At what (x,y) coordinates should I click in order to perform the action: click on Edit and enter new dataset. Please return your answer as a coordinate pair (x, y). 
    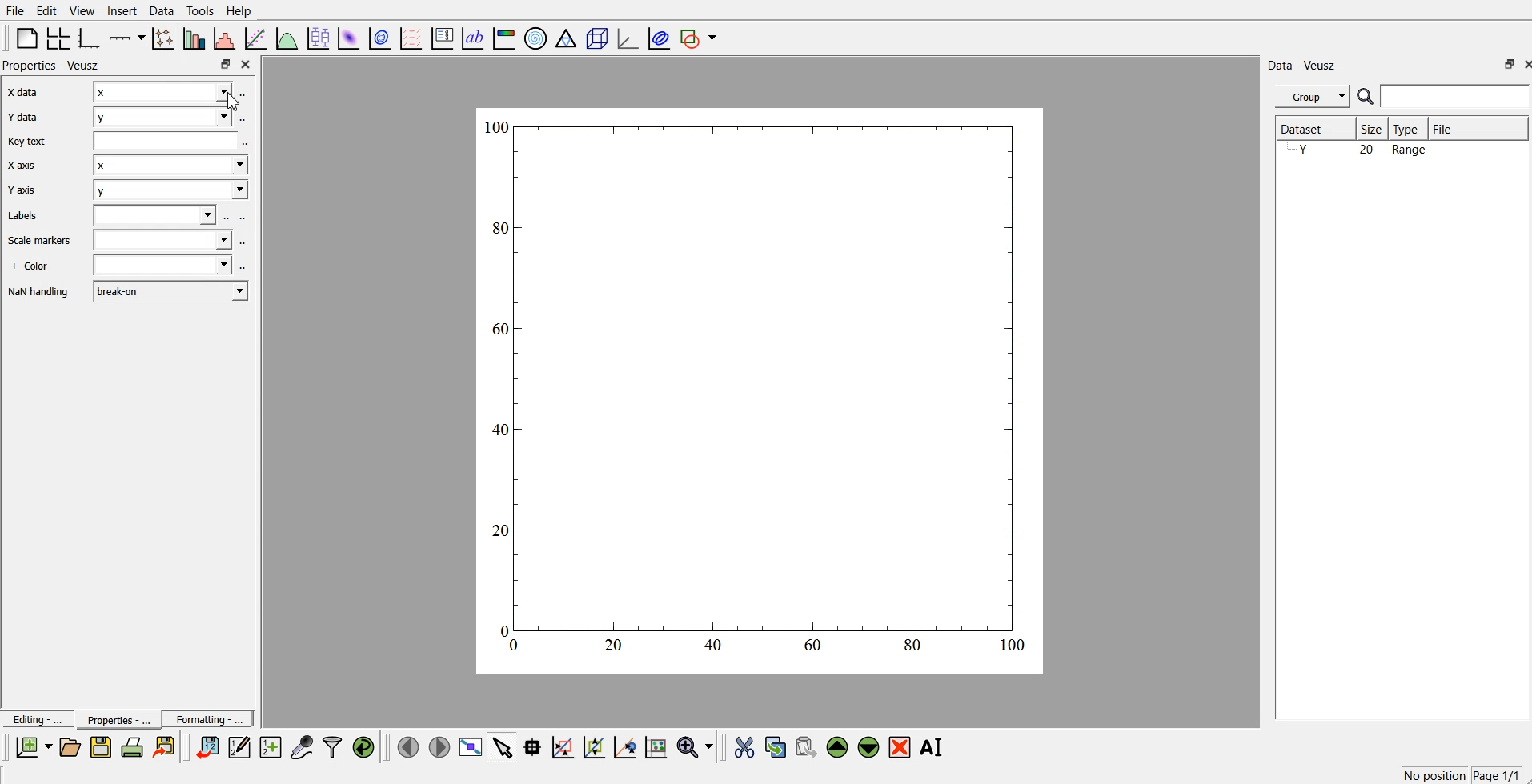
    Looking at the image, I should click on (237, 747).